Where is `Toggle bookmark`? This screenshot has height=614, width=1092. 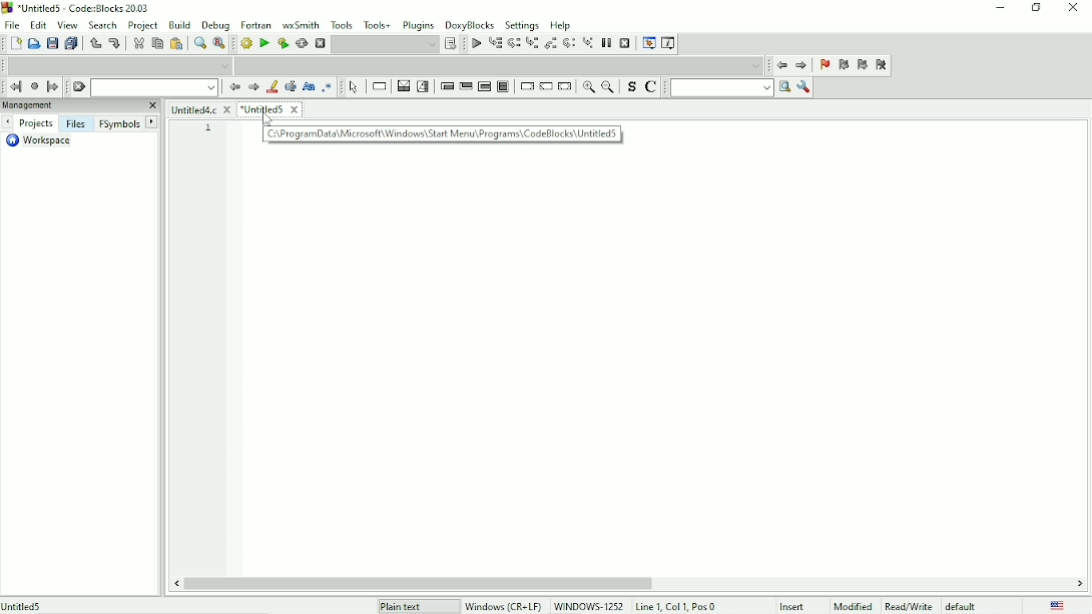
Toggle bookmark is located at coordinates (823, 66).